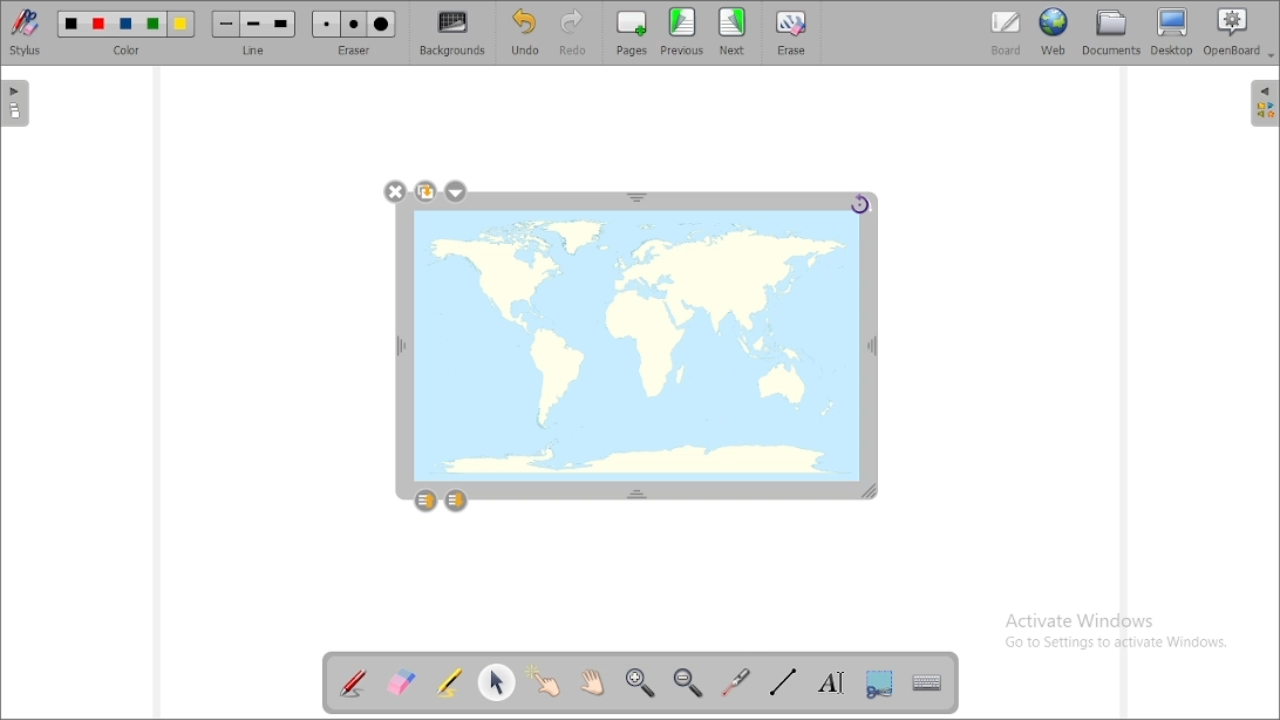  I want to click on Activate Windows
Go to Settings to agtivate Windows., so click(1120, 632).